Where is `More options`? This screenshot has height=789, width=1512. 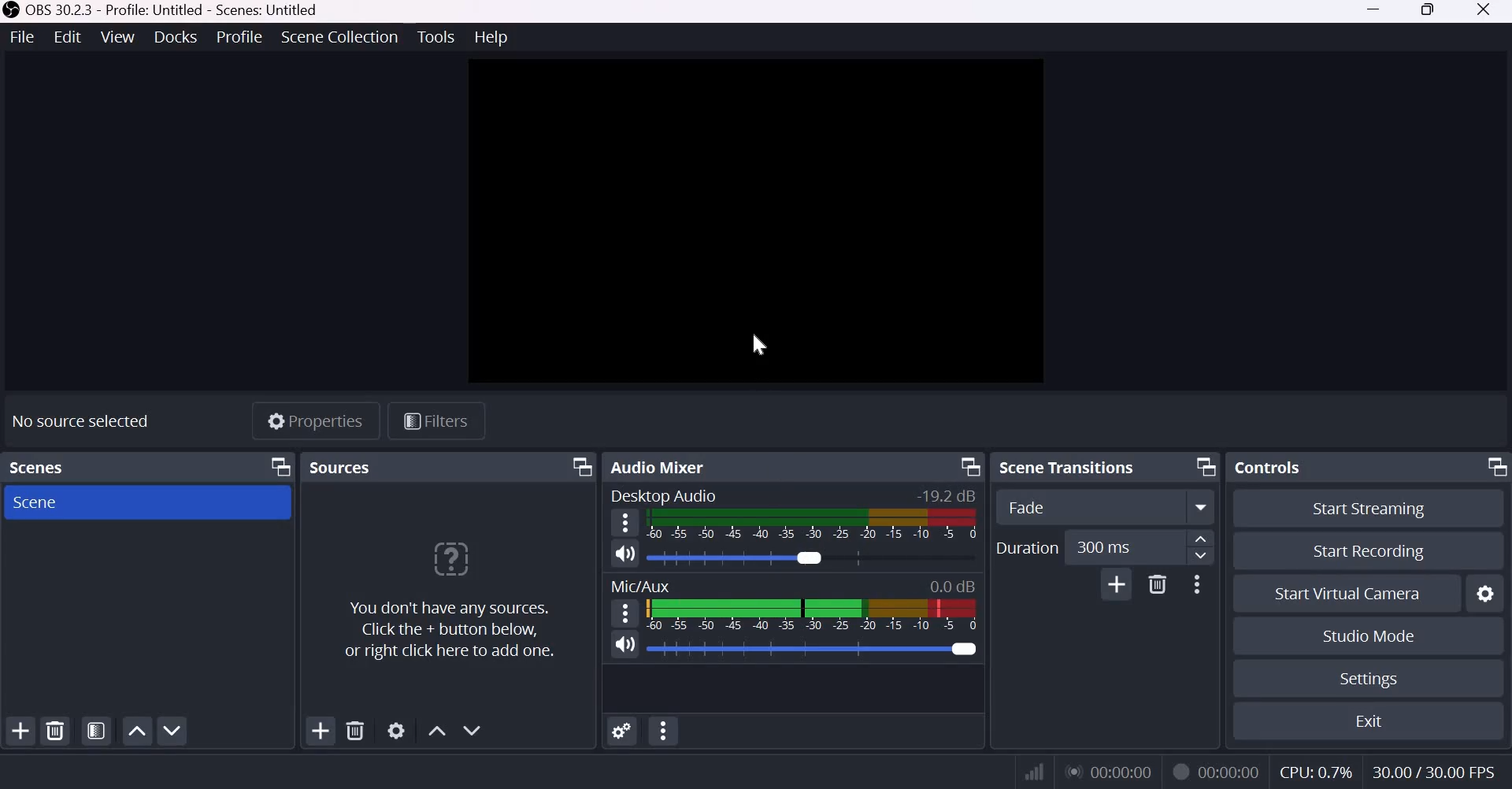 More options is located at coordinates (1203, 507).